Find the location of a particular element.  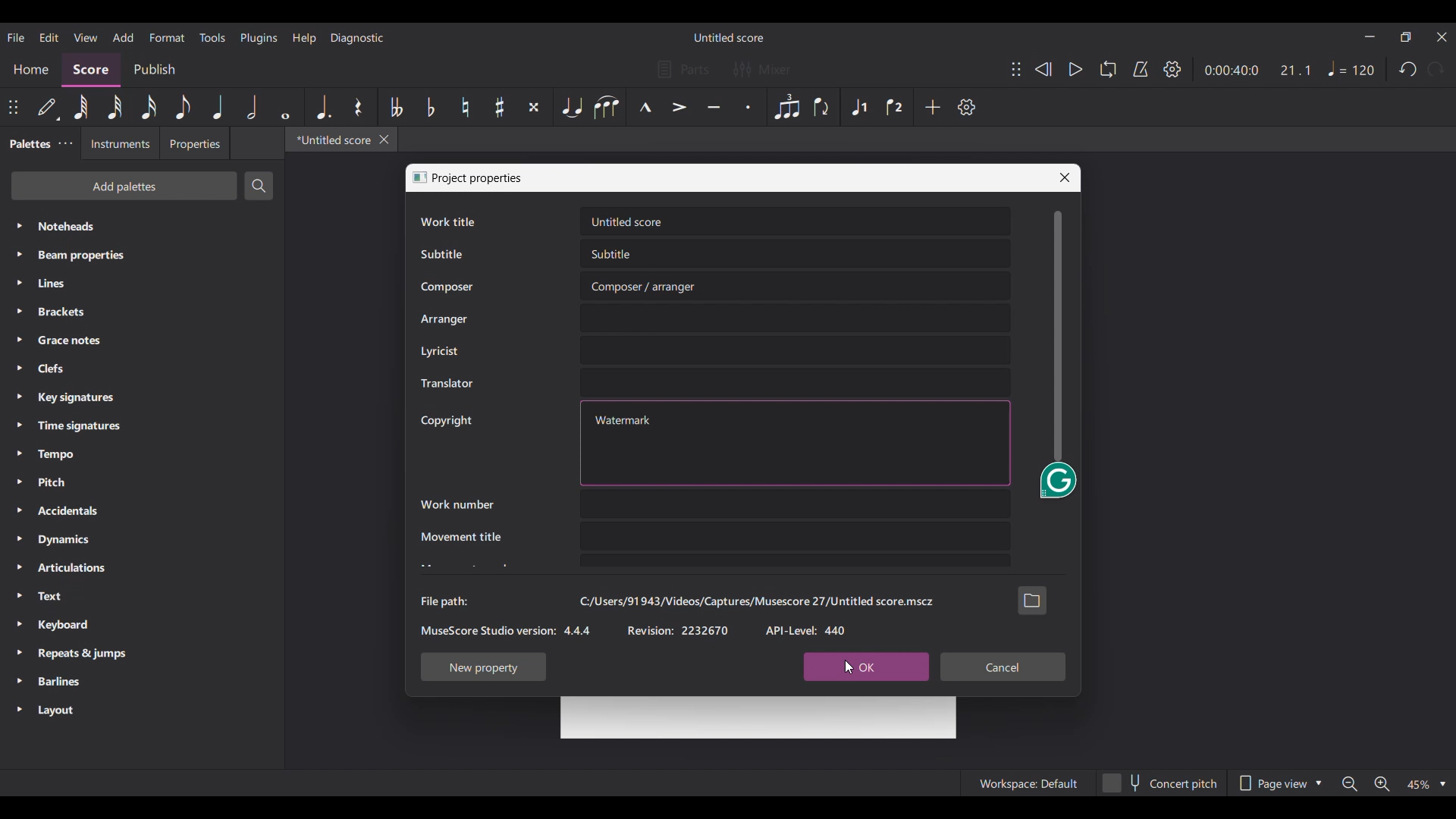

Accidentals is located at coordinates (143, 510).